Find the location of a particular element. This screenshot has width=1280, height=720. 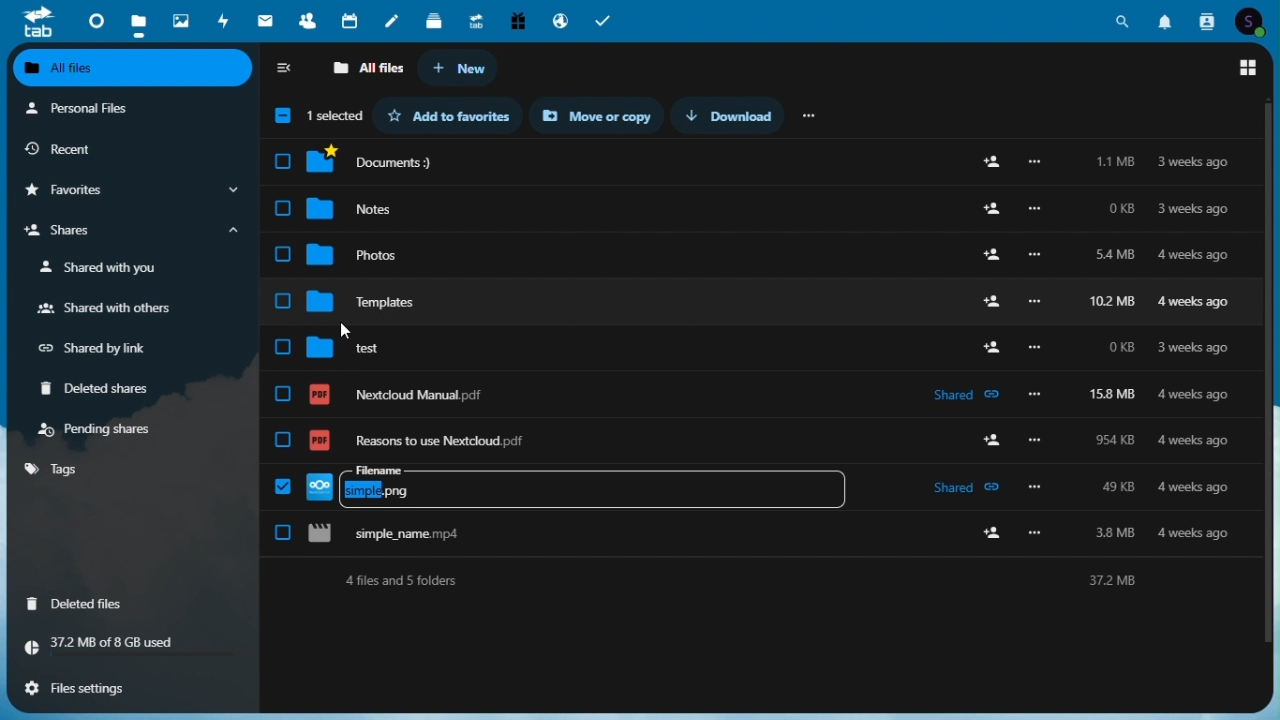

deleted  shares is located at coordinates (103, 390).